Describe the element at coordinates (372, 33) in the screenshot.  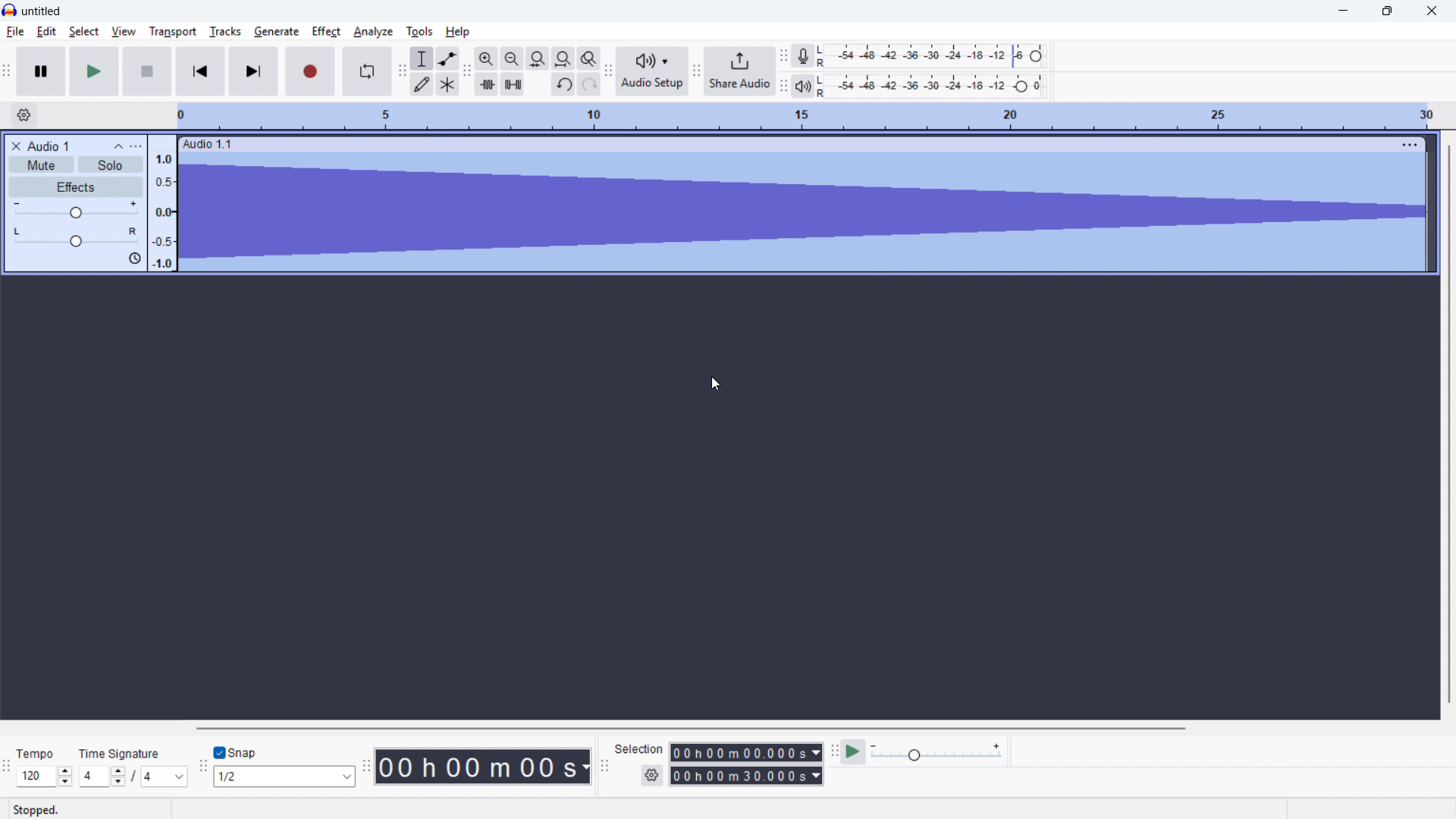
I see `analyse ` at that location.